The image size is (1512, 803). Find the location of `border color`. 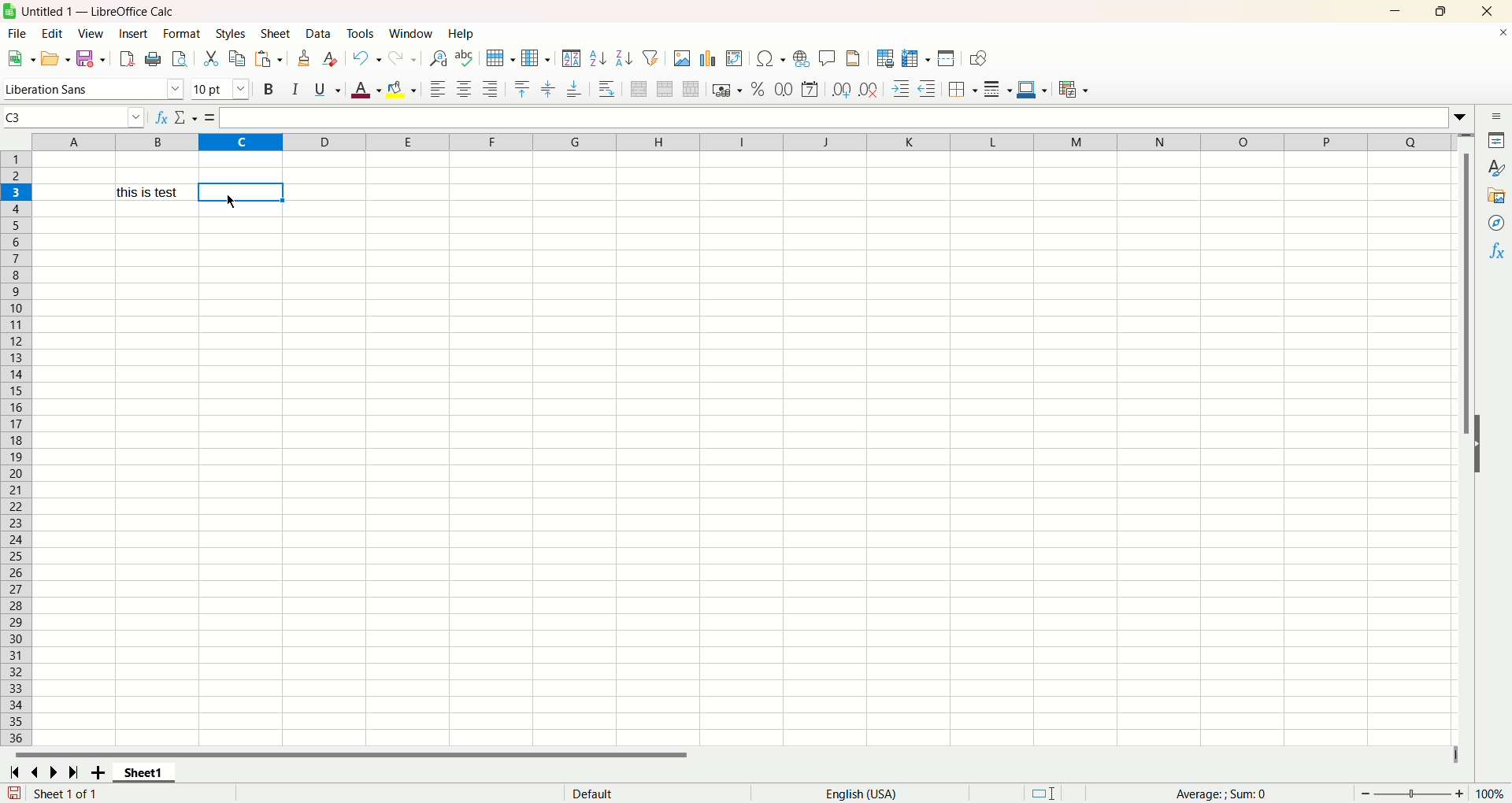

border color is located at coordinates (1031, 87).